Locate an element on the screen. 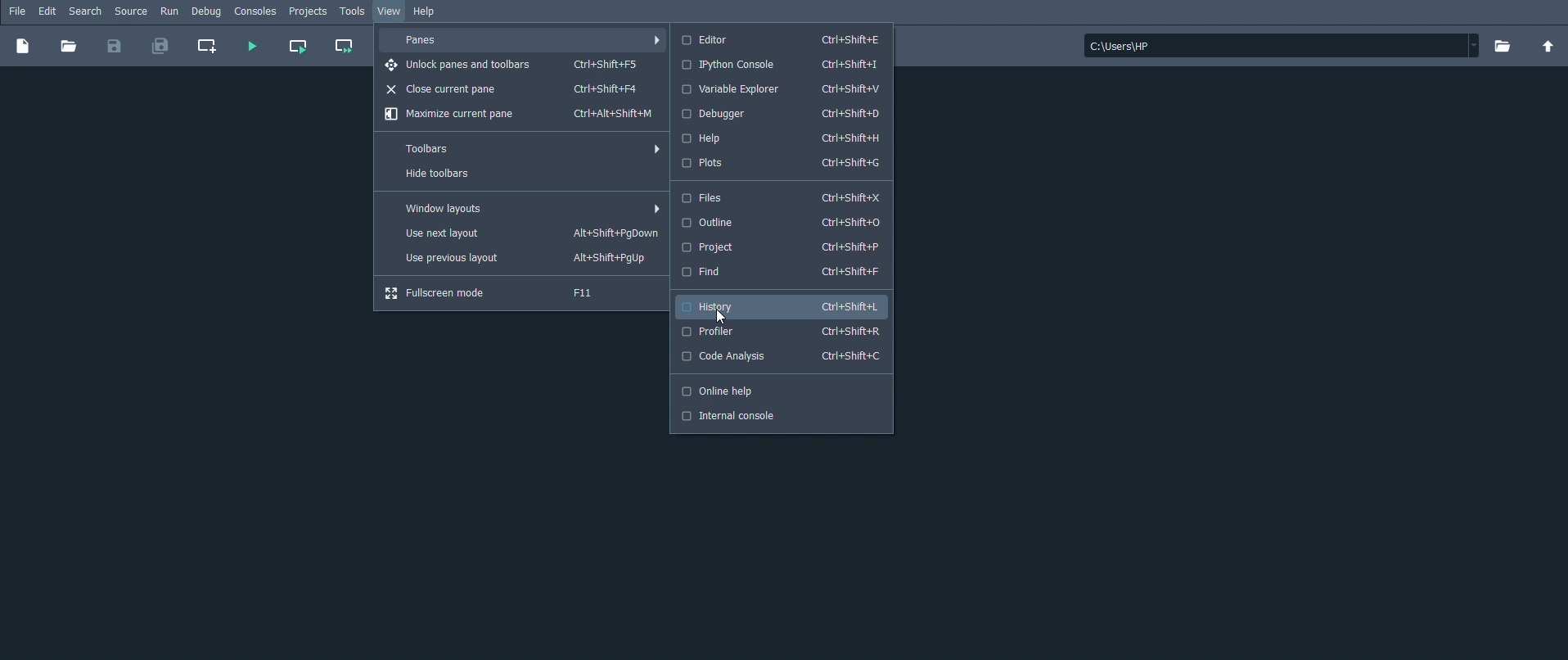 The image size is (1568, 660). Run current cell is located at coordinates (298, 47).